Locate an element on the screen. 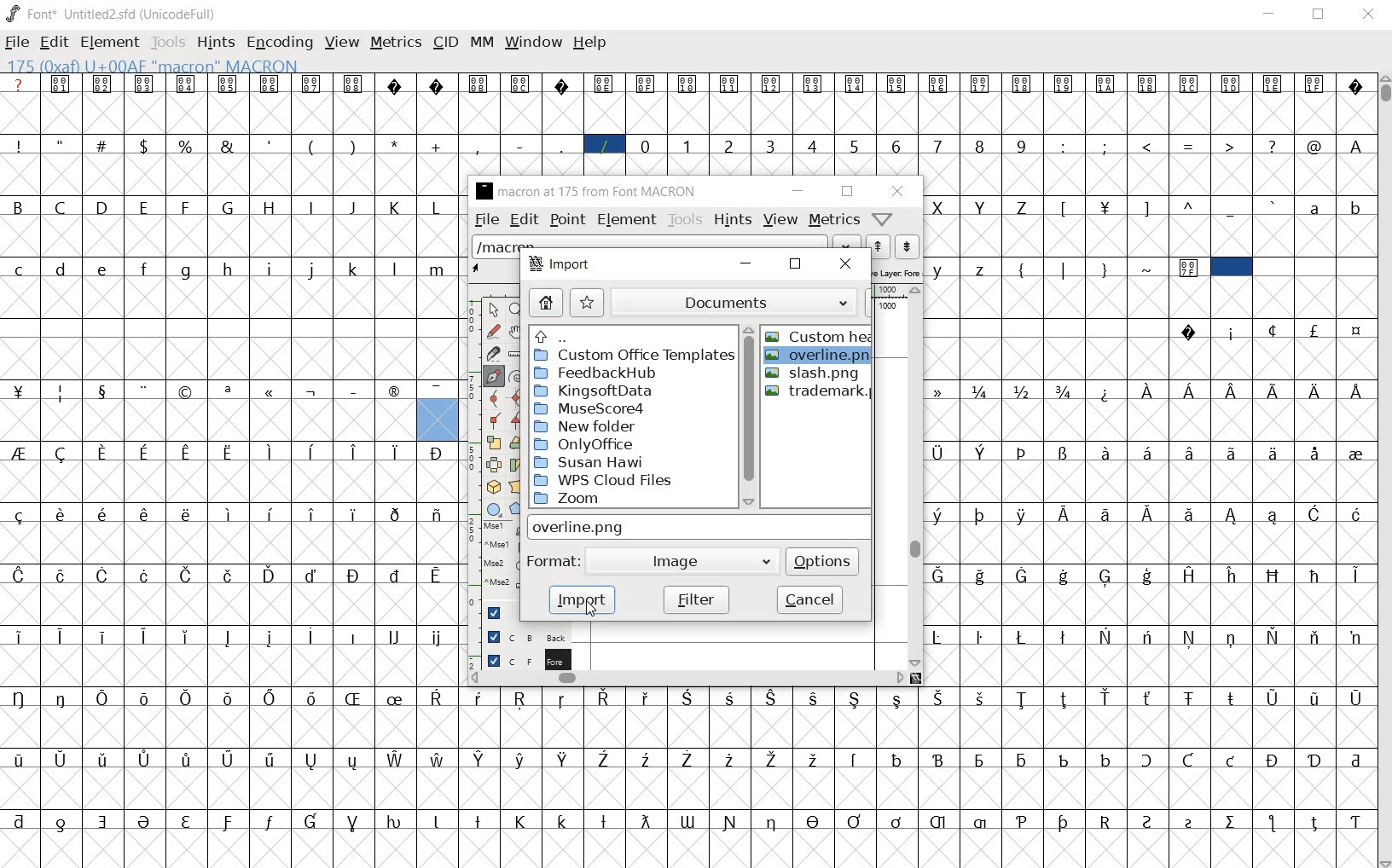  6 is located at coordinates (897, 146).